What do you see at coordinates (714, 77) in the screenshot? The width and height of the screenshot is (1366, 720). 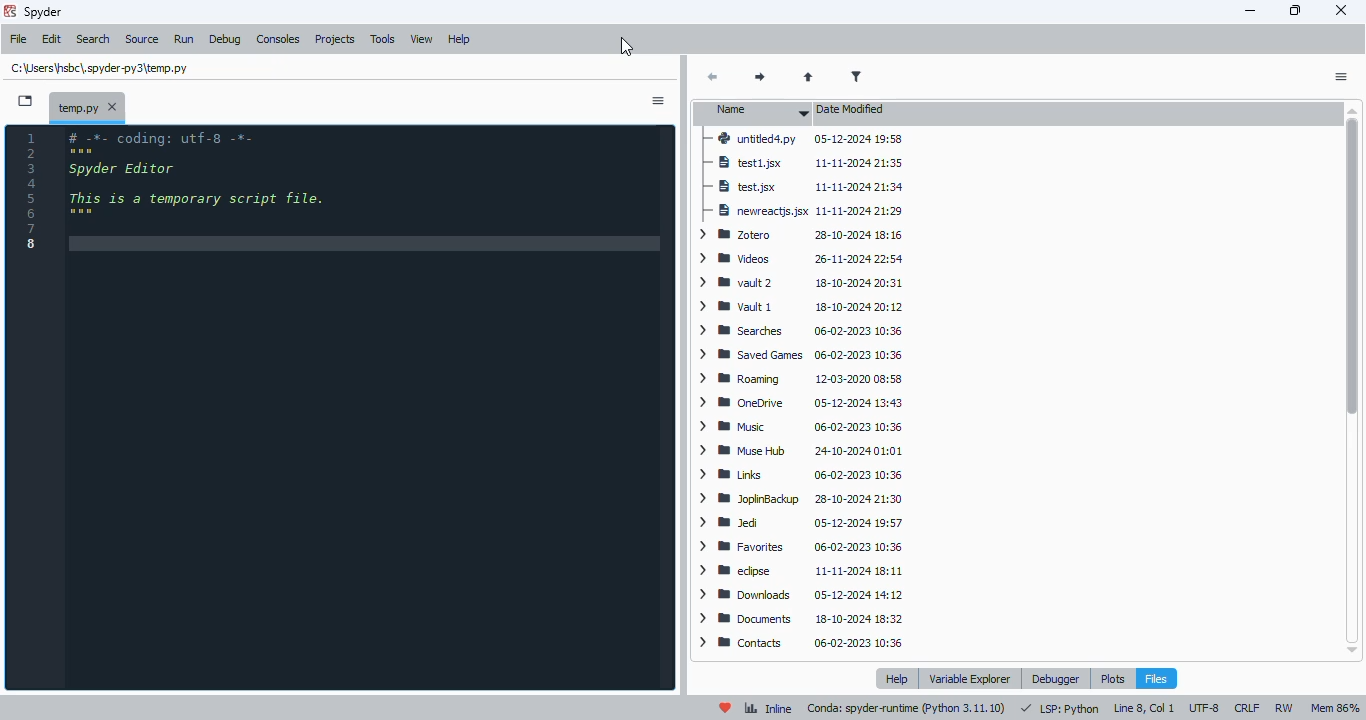 I see `back` at bounding box center [714, 77].